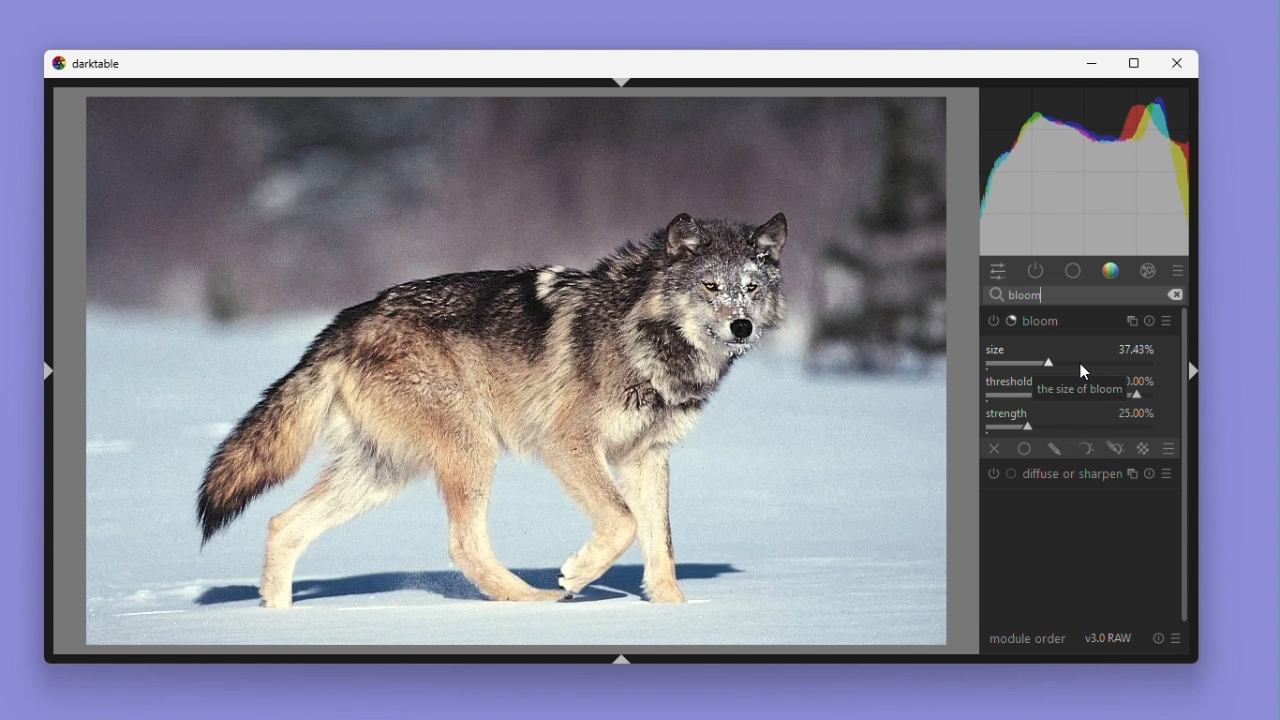 The height and width of the screenshot is (720, 1280). I want to click on Enable/disable module, so click(994, 321).